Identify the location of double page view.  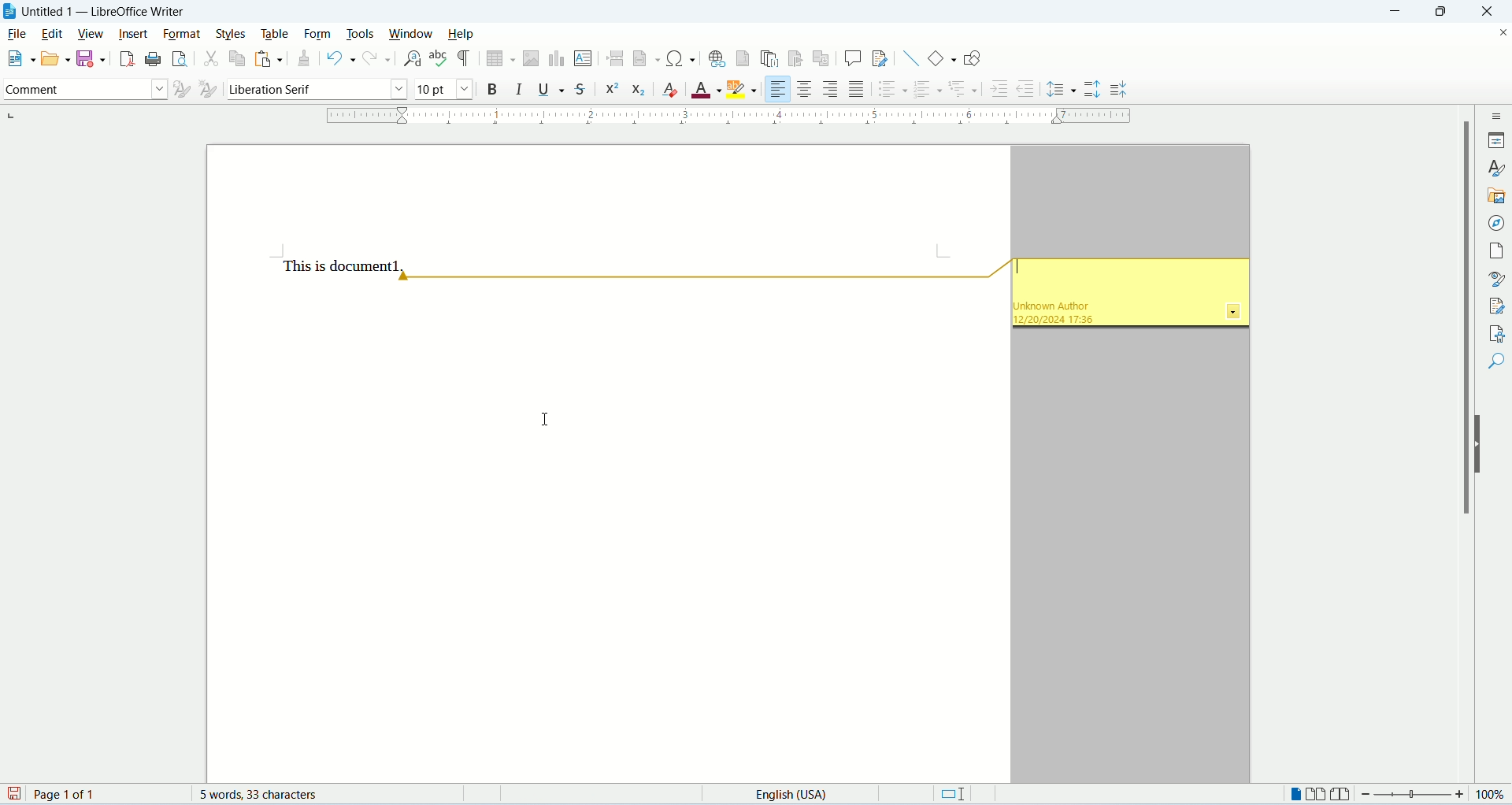
(1315, 793).